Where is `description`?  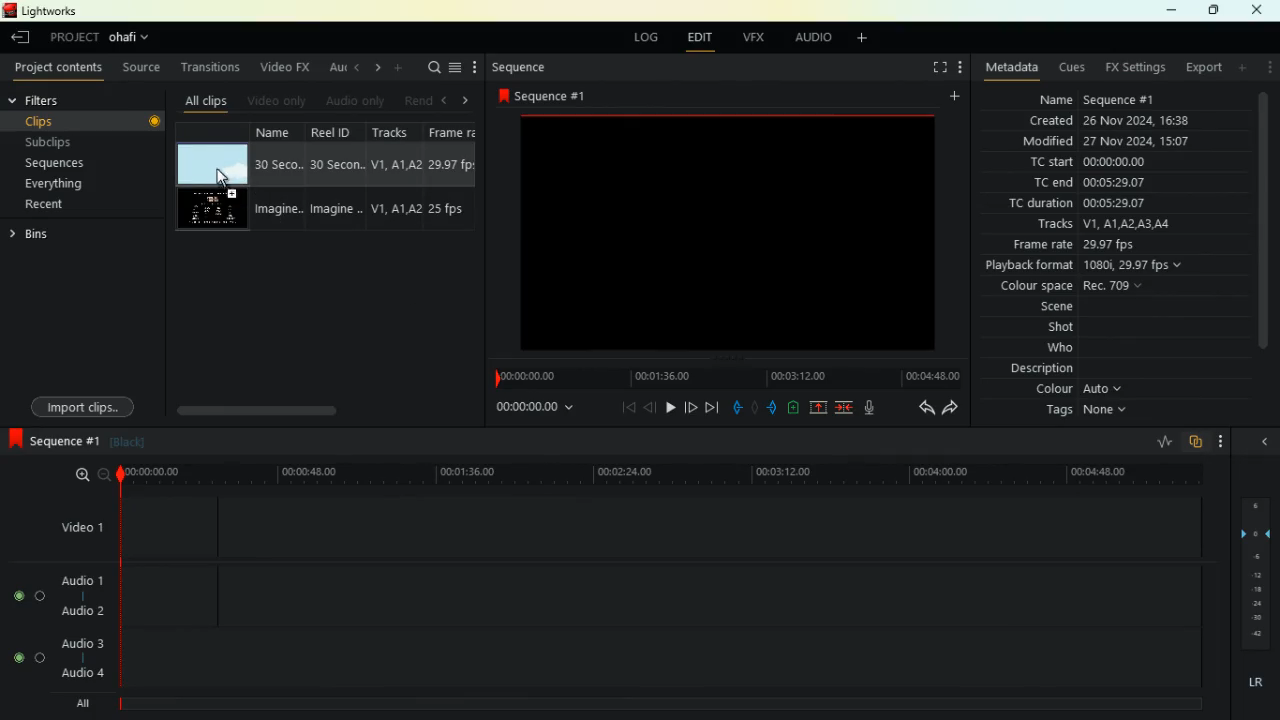
description is located at coordinates (1038, 368).